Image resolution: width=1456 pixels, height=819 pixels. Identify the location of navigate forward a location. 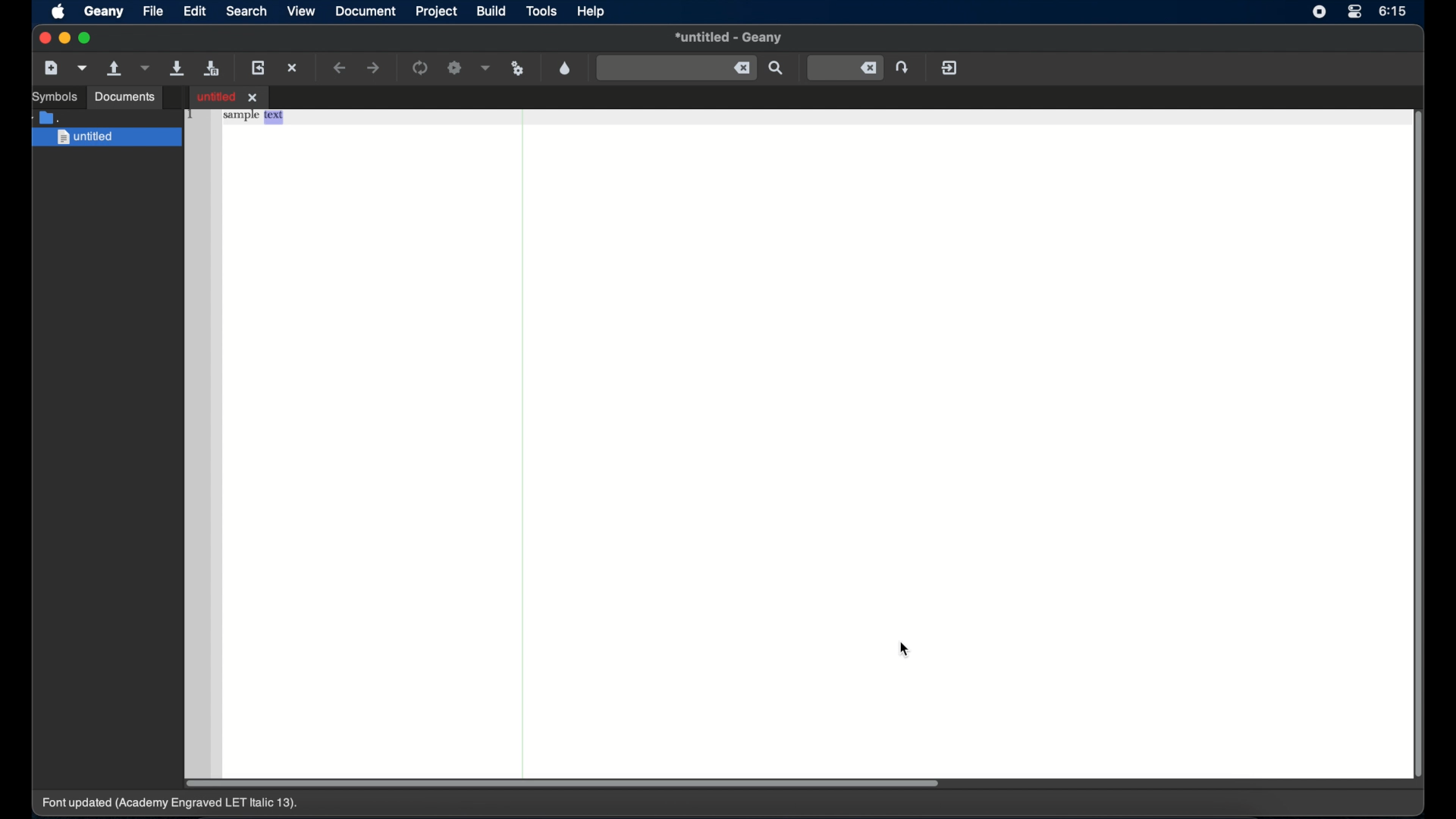
(375, 67).